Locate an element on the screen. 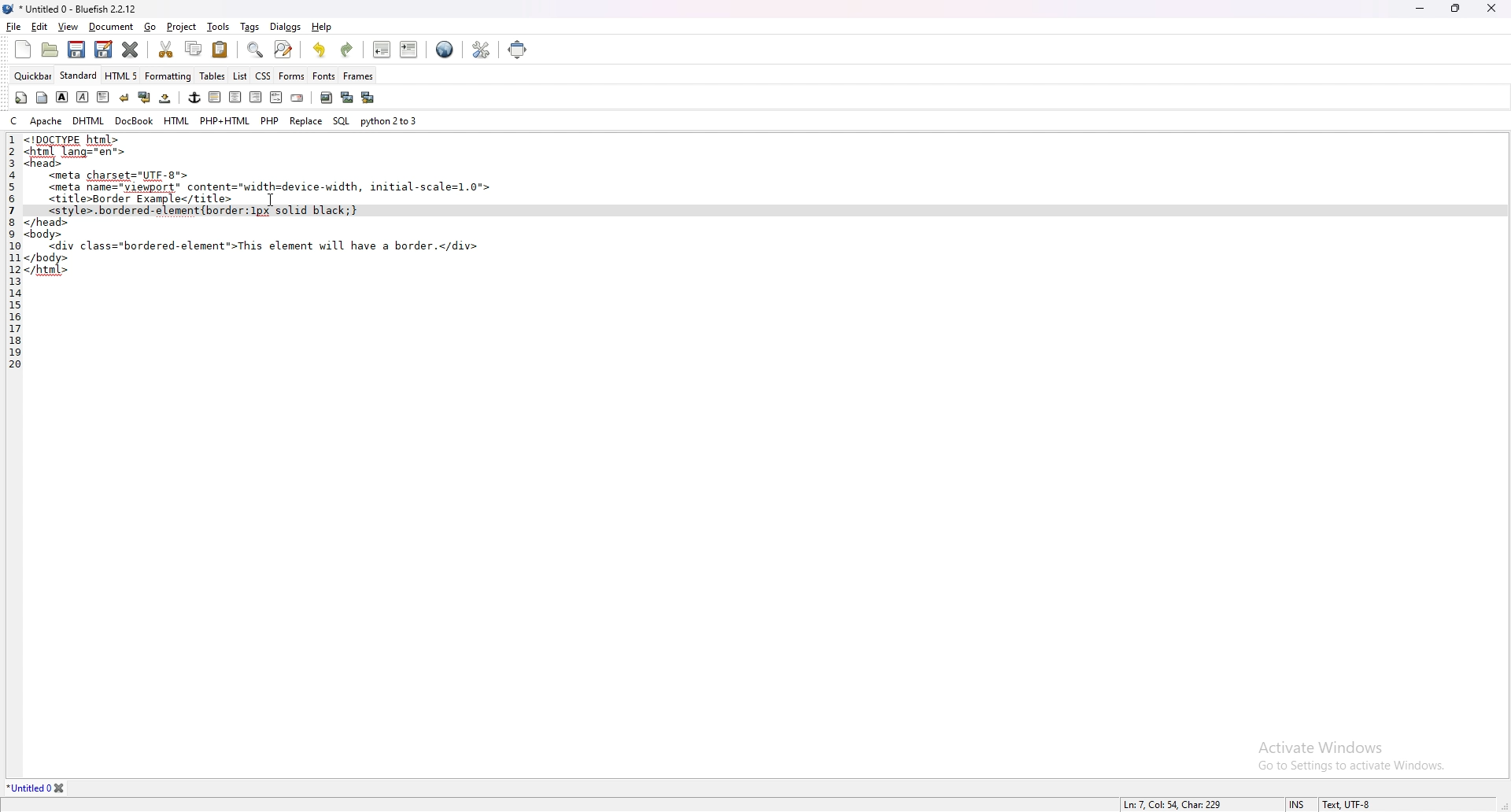 The width and height of the screenshot is (1511, 812). unindent is located at coordinates (381, 49).